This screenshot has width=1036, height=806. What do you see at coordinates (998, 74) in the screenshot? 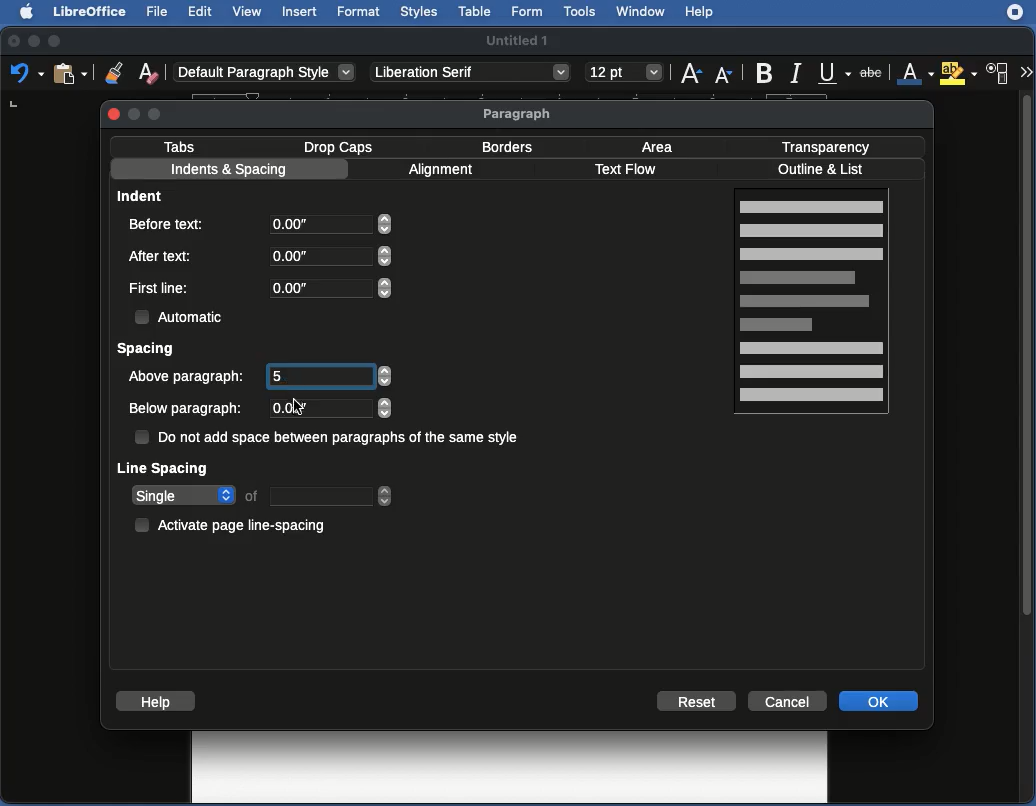
I see `Character` at bounding box center [998, 74].